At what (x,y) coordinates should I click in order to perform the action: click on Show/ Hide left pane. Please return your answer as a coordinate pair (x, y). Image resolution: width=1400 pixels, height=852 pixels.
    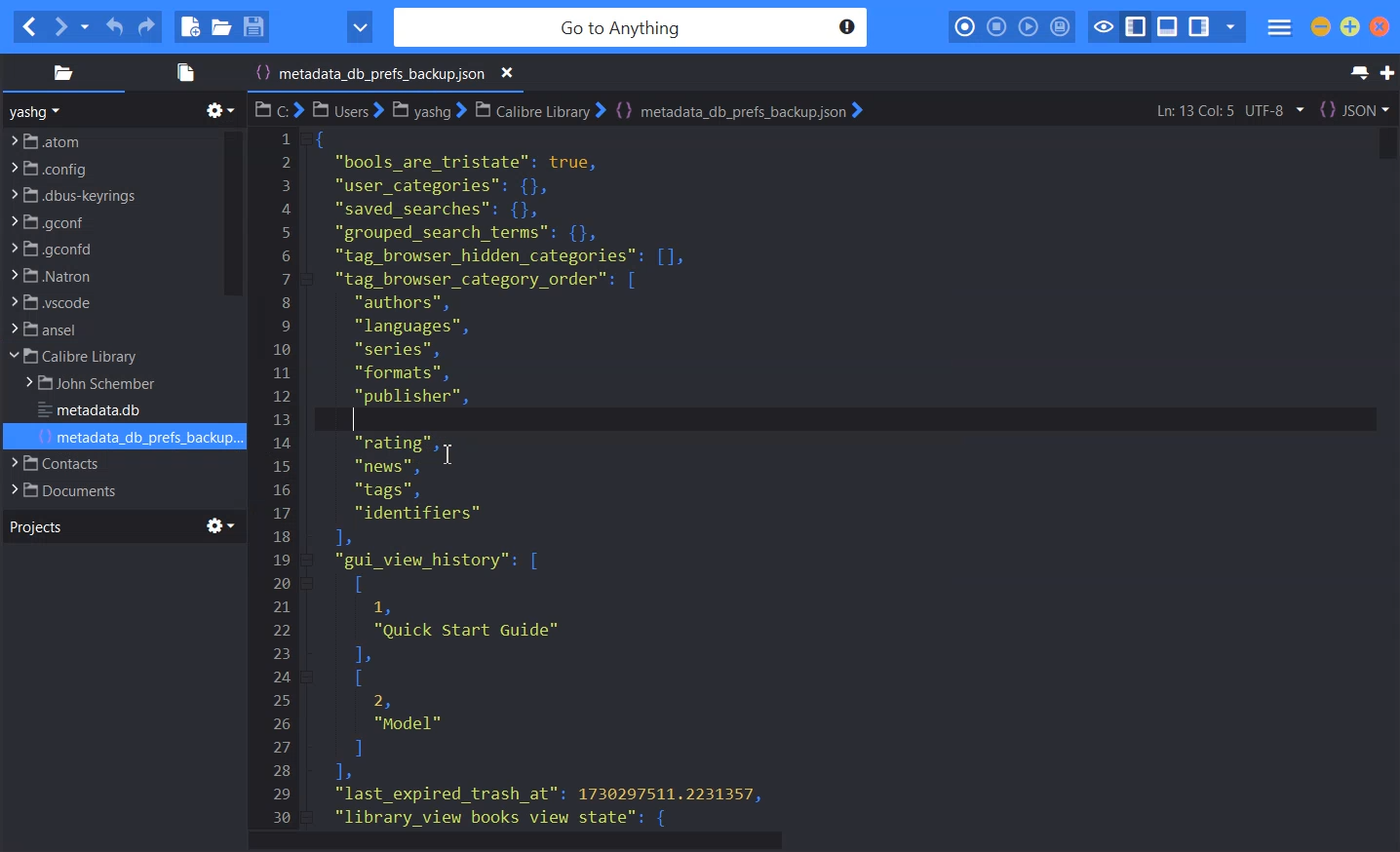
    Looking at the image, I should click on (1136, 27).